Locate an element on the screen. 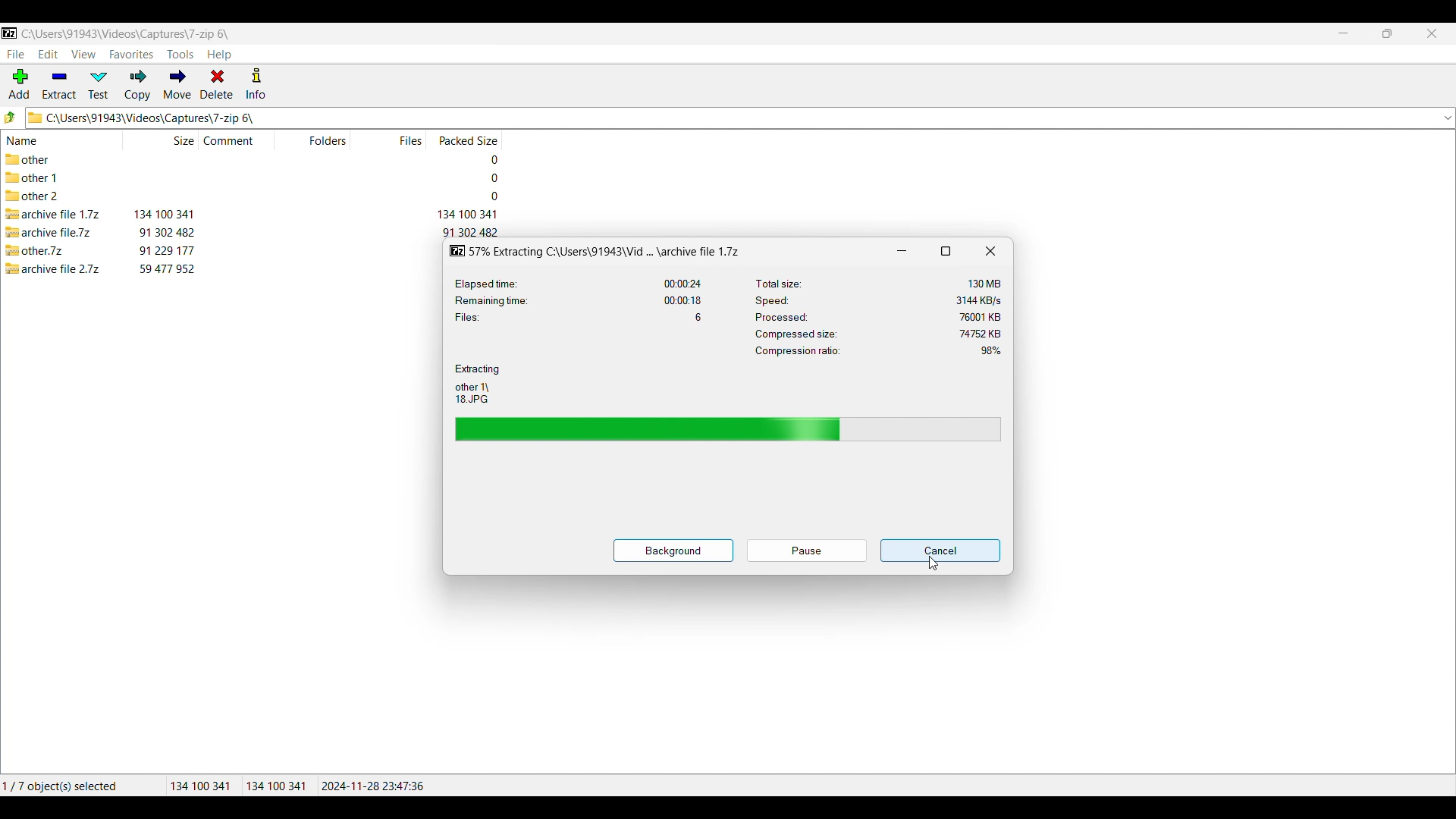 The image size is (1456, 819). Favorites menu is located at coordinates (131, 55).